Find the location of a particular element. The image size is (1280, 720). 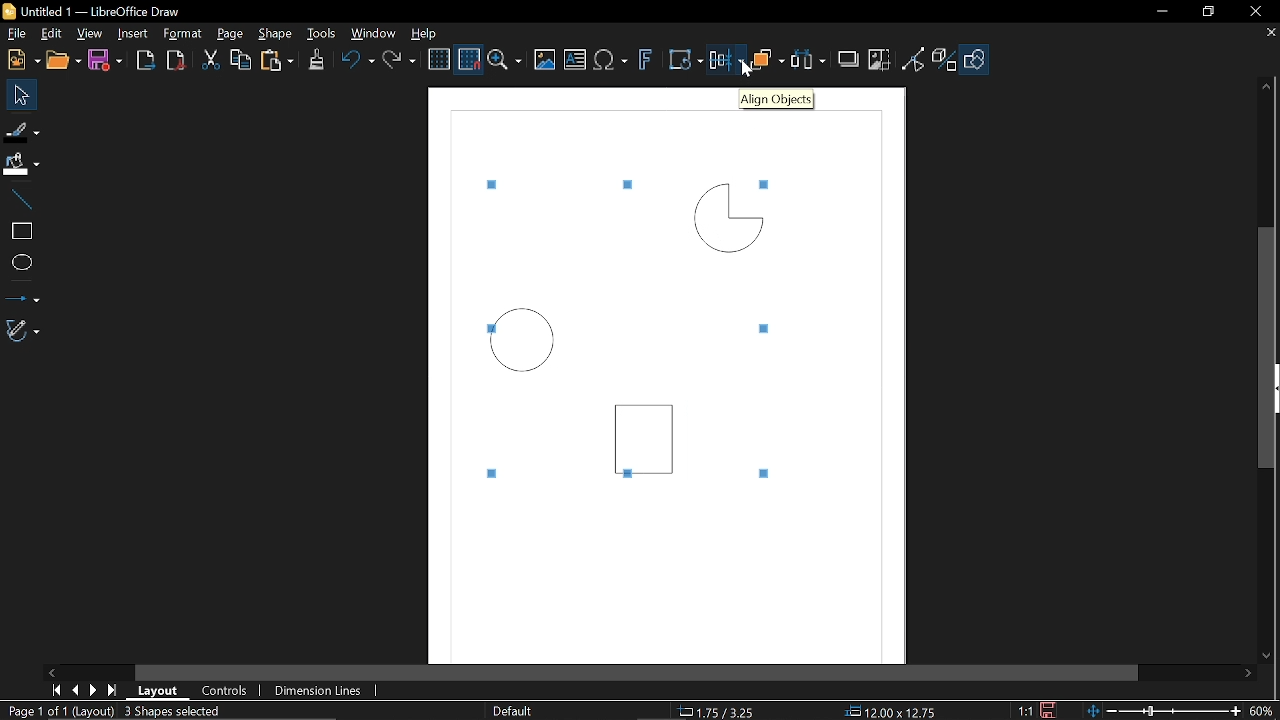

Tiny squares sound selected objects is located at coordinates (764, 475).